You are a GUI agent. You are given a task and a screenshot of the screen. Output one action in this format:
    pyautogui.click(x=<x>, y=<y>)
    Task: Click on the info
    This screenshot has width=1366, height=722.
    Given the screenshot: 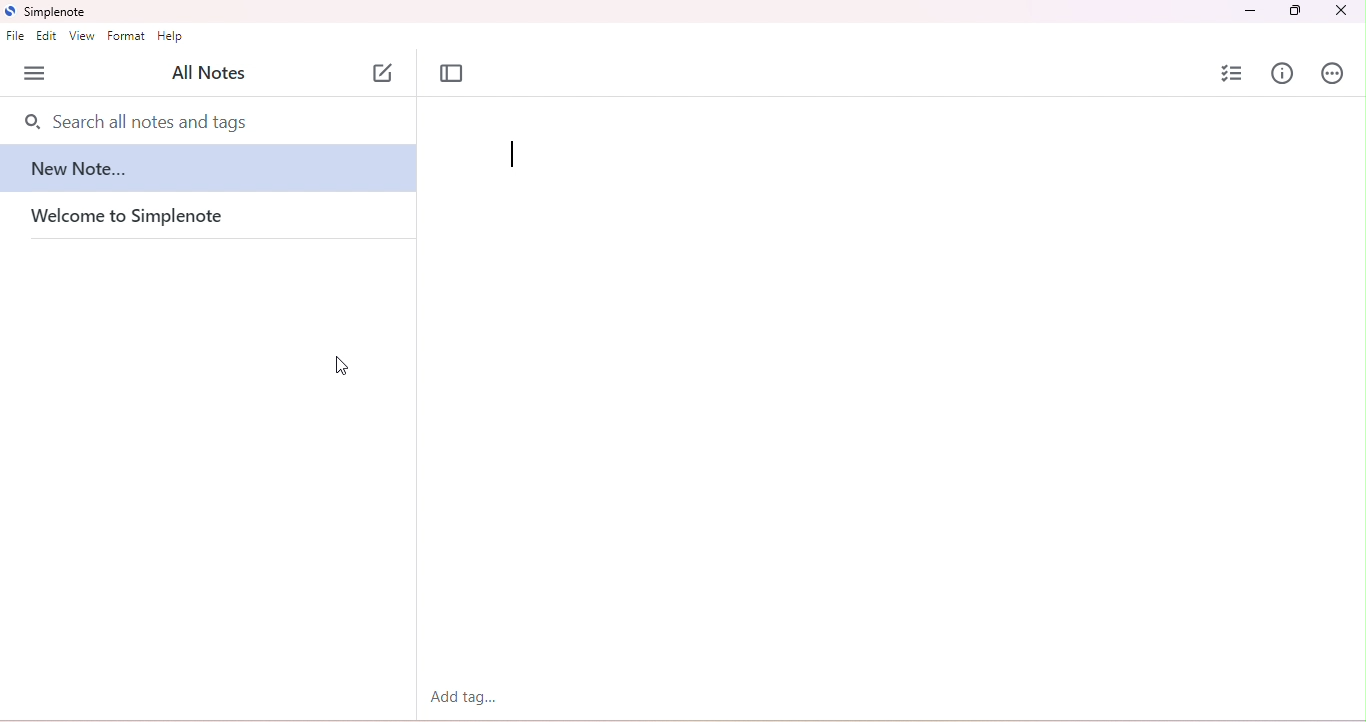 What is the action you would take?
    pyautogui.click(x=1281, y=73)
    